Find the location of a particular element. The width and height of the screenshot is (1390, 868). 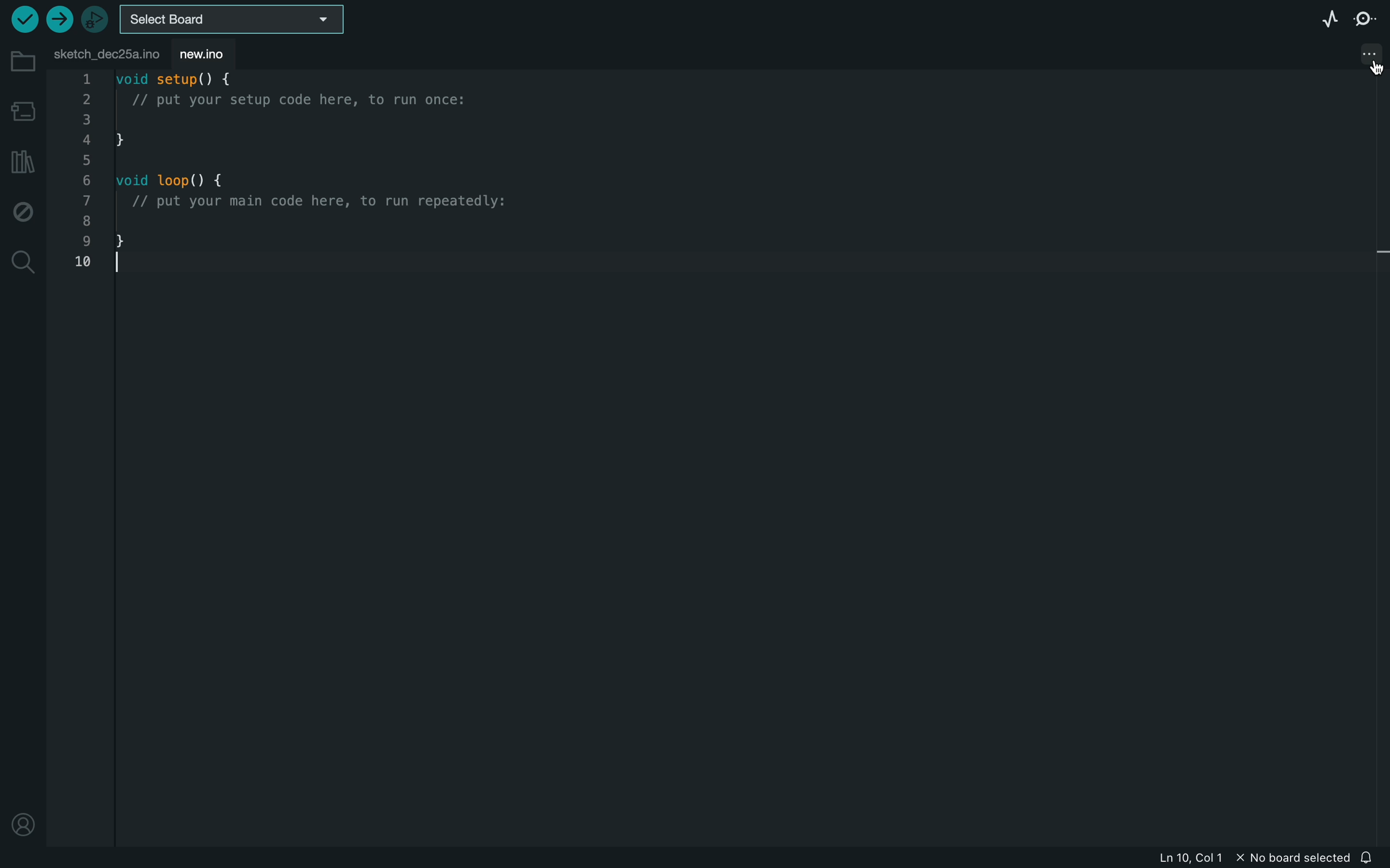

file setting is located at coordinates (1358, 53).